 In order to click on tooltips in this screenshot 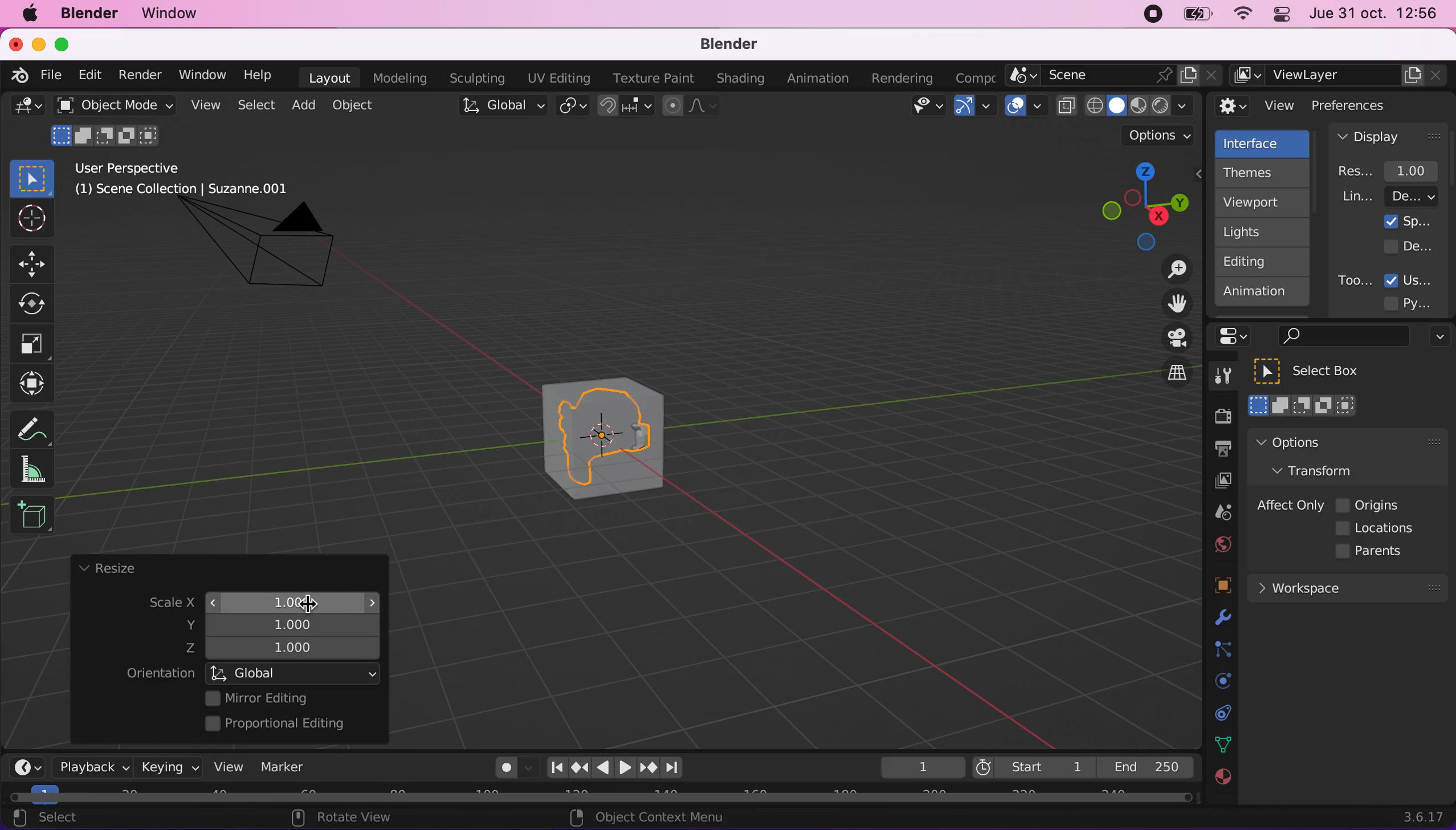, I will do `click(1354, 280)`.